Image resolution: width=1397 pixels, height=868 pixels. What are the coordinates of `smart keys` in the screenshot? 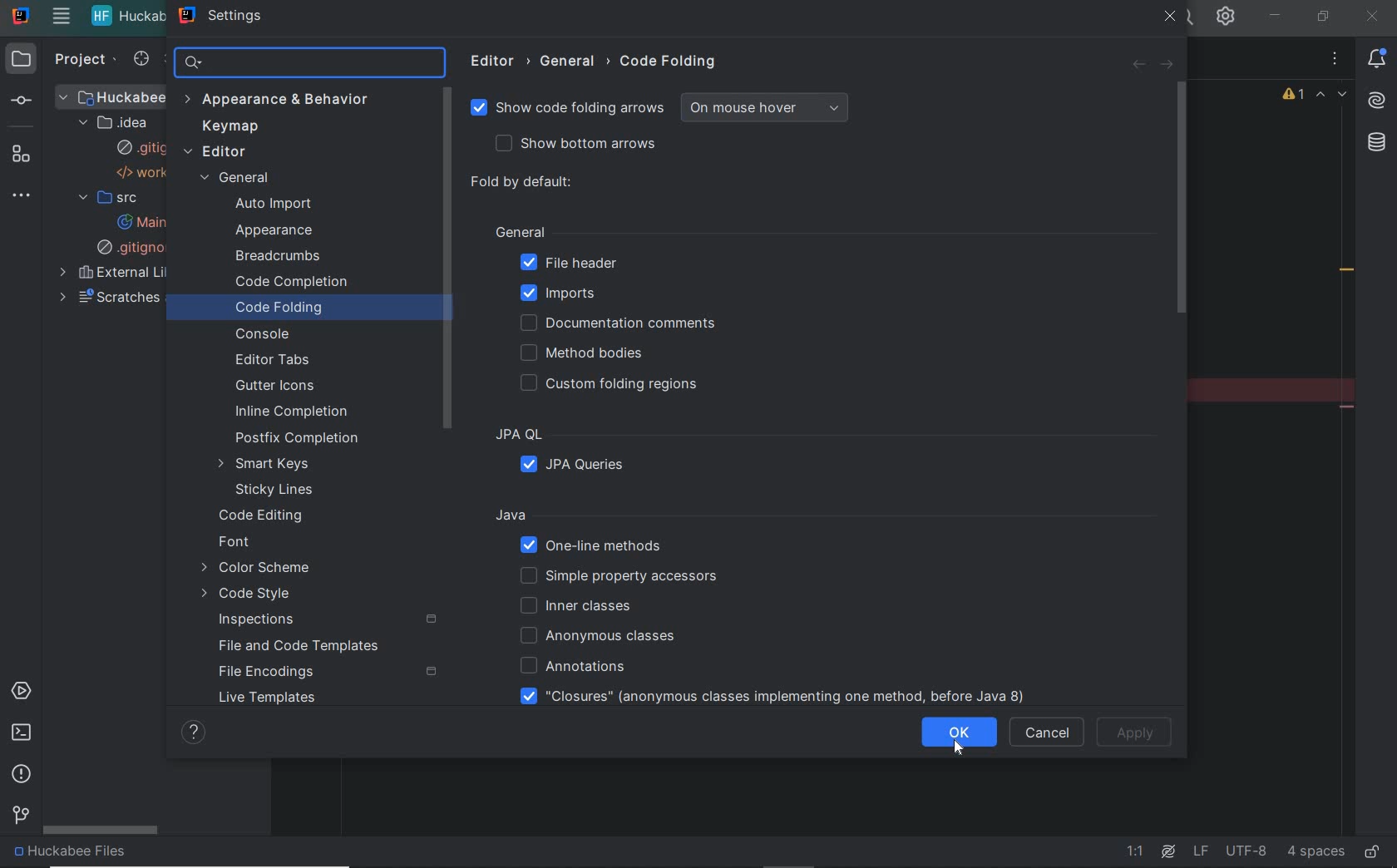 It's located at (267, 463).